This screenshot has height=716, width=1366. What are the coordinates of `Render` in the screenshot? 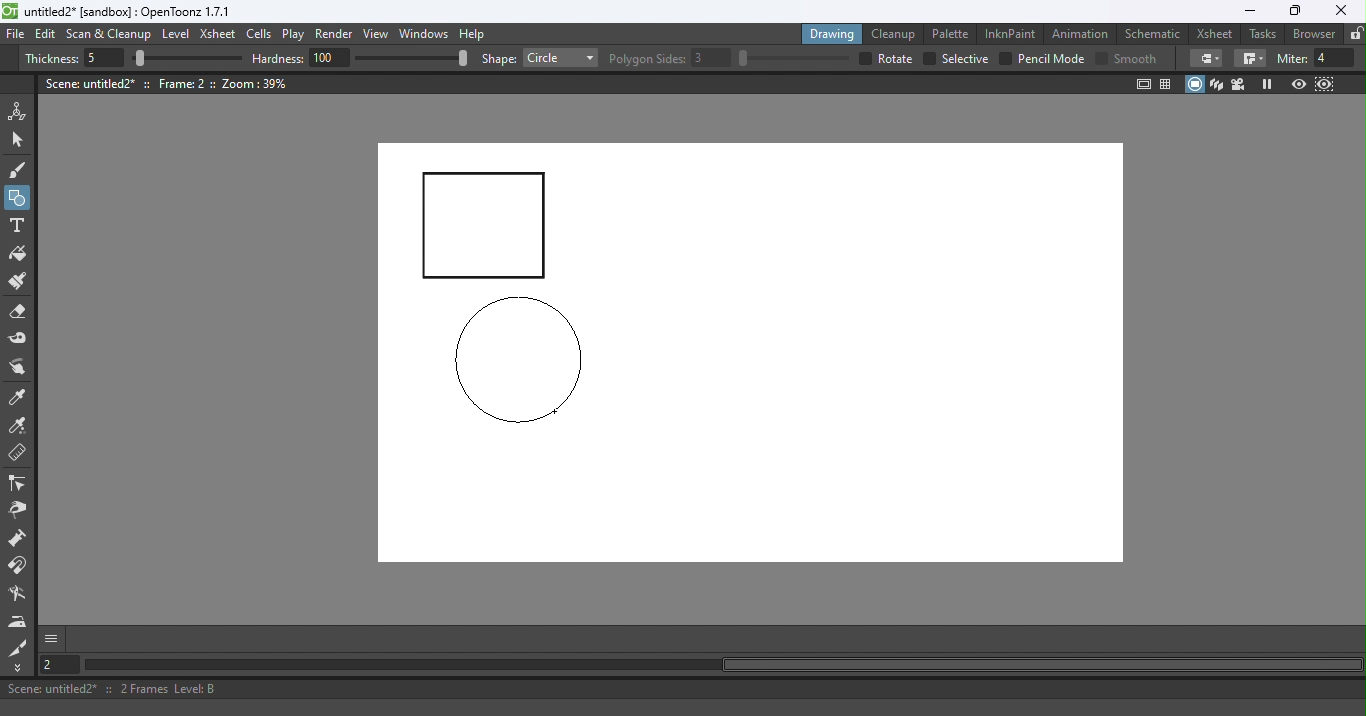 It's located at (337, 35).